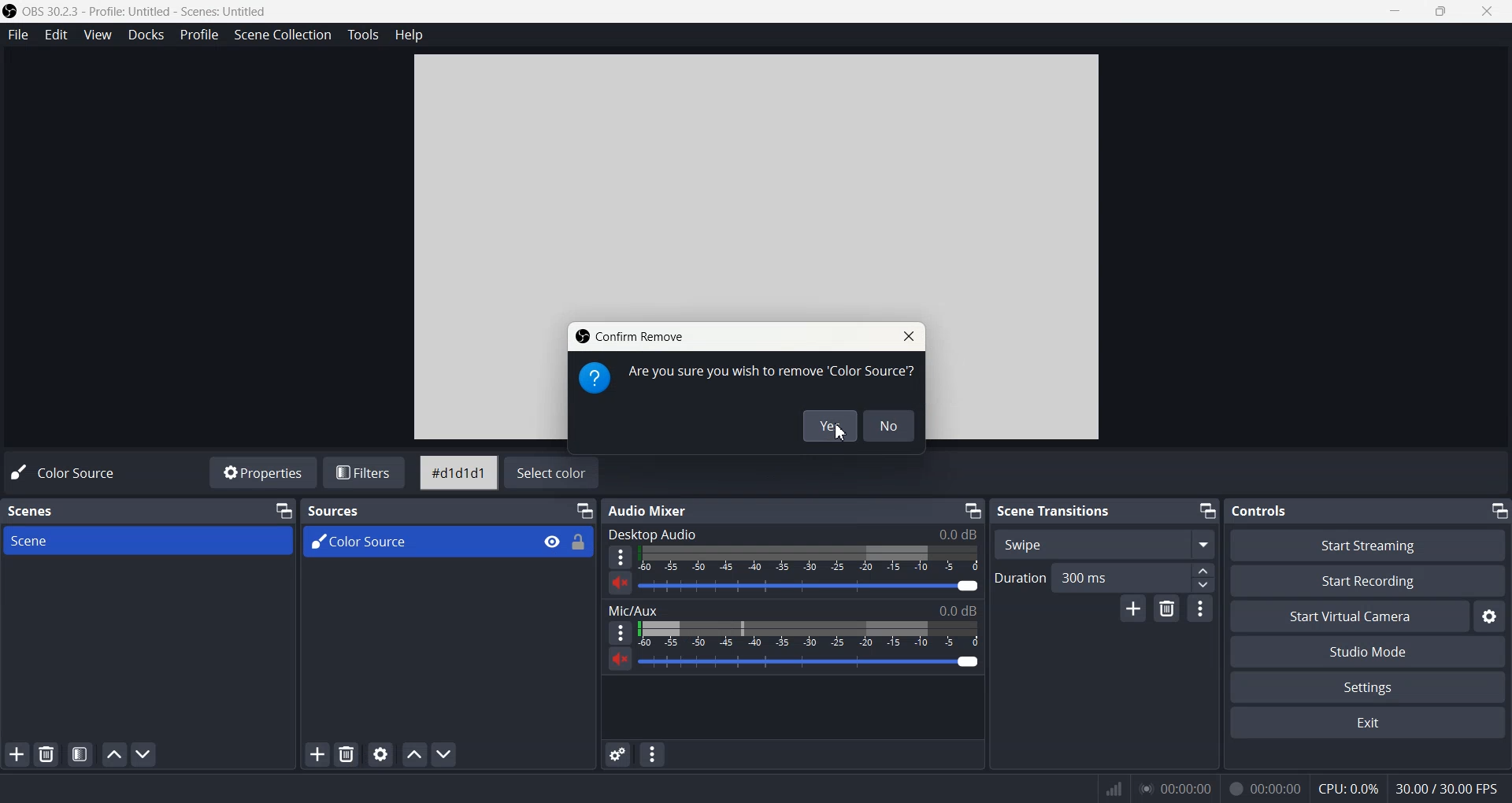 The height and width of the screenshot is (803, 1512). I want to click on Settings, so click(1492, 616).